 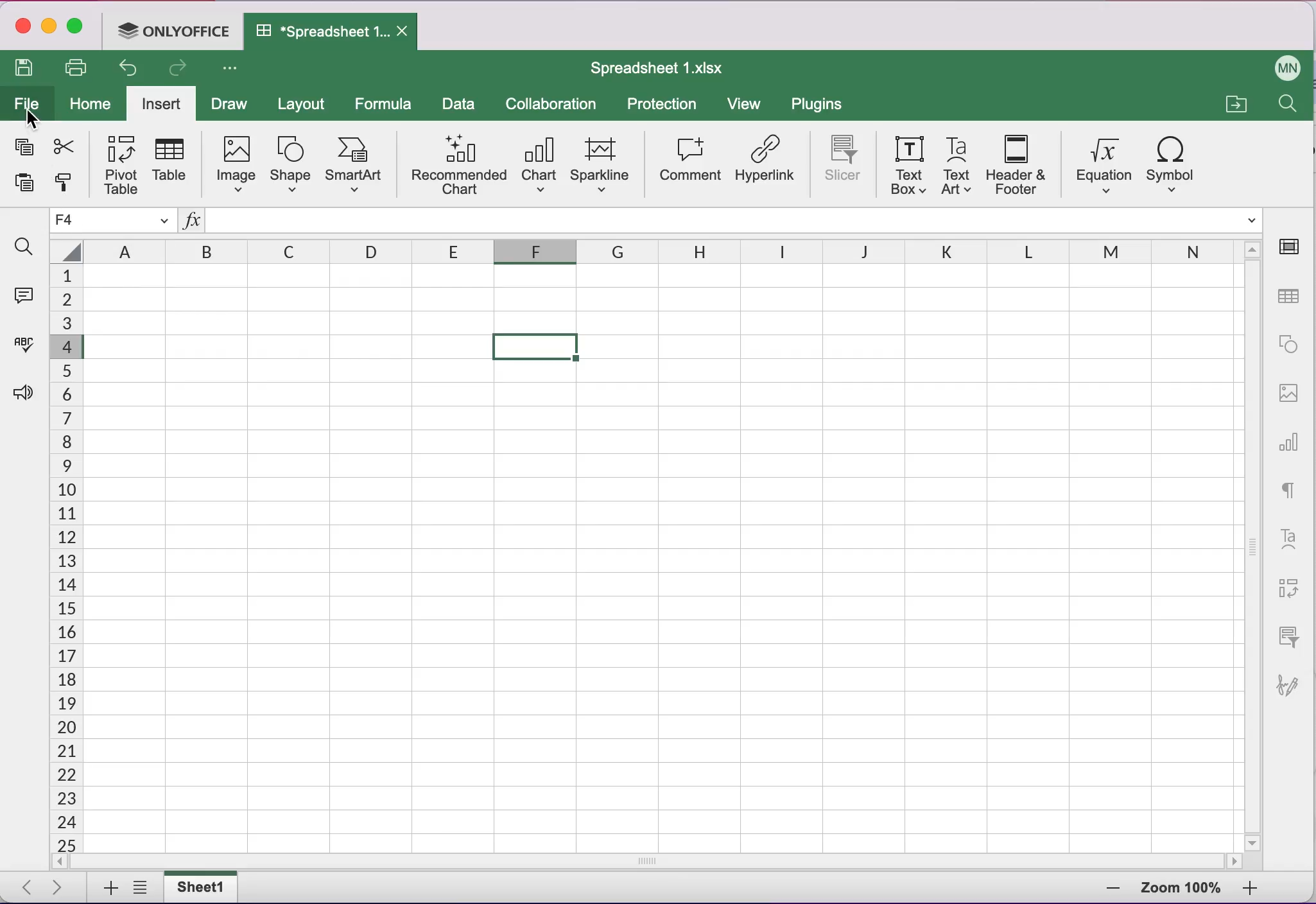 I want to click on smart art, so click(x=354, y=166).